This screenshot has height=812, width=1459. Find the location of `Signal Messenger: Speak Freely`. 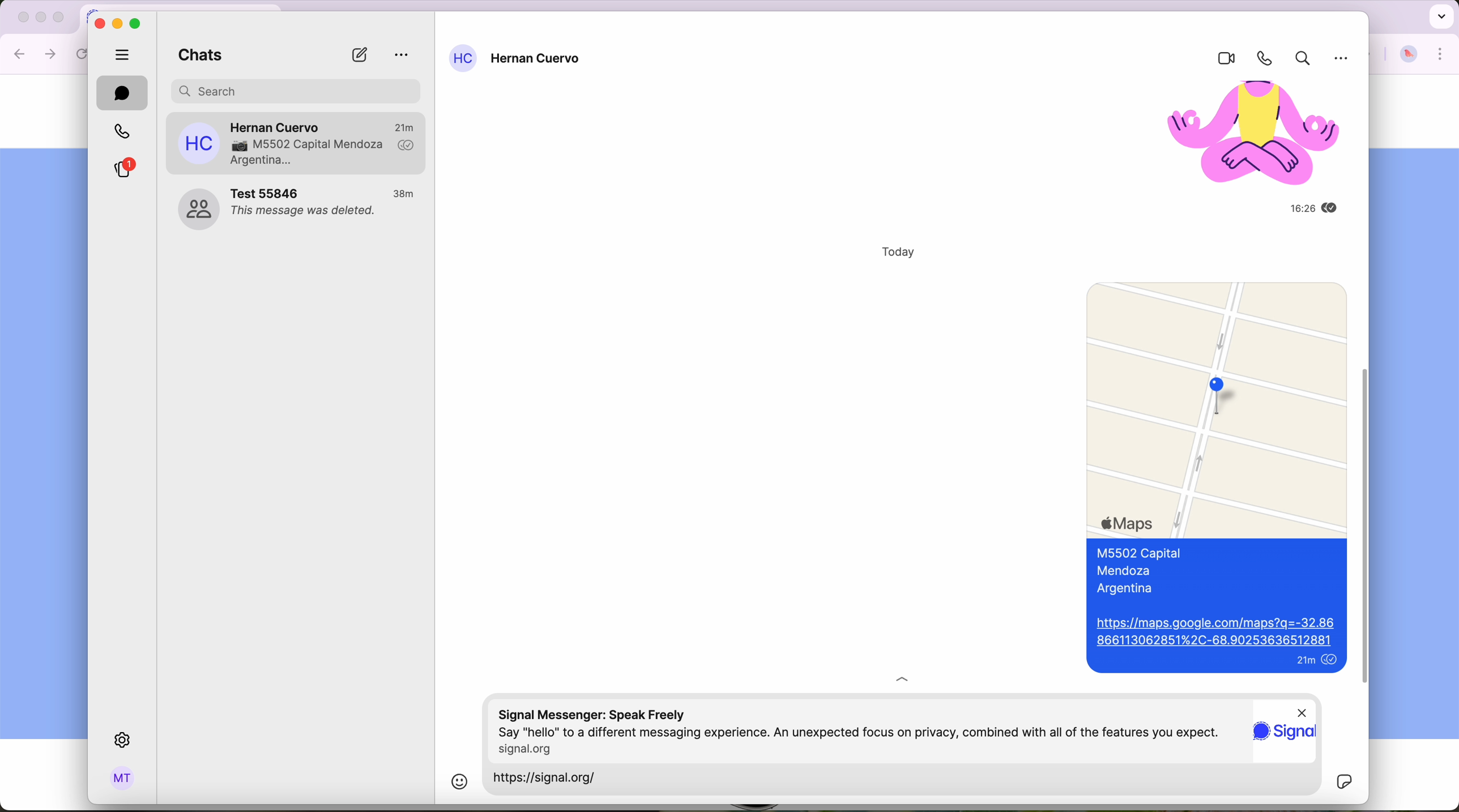

Signal Messenger: Speak Freely is located at coordinates (599, 712).